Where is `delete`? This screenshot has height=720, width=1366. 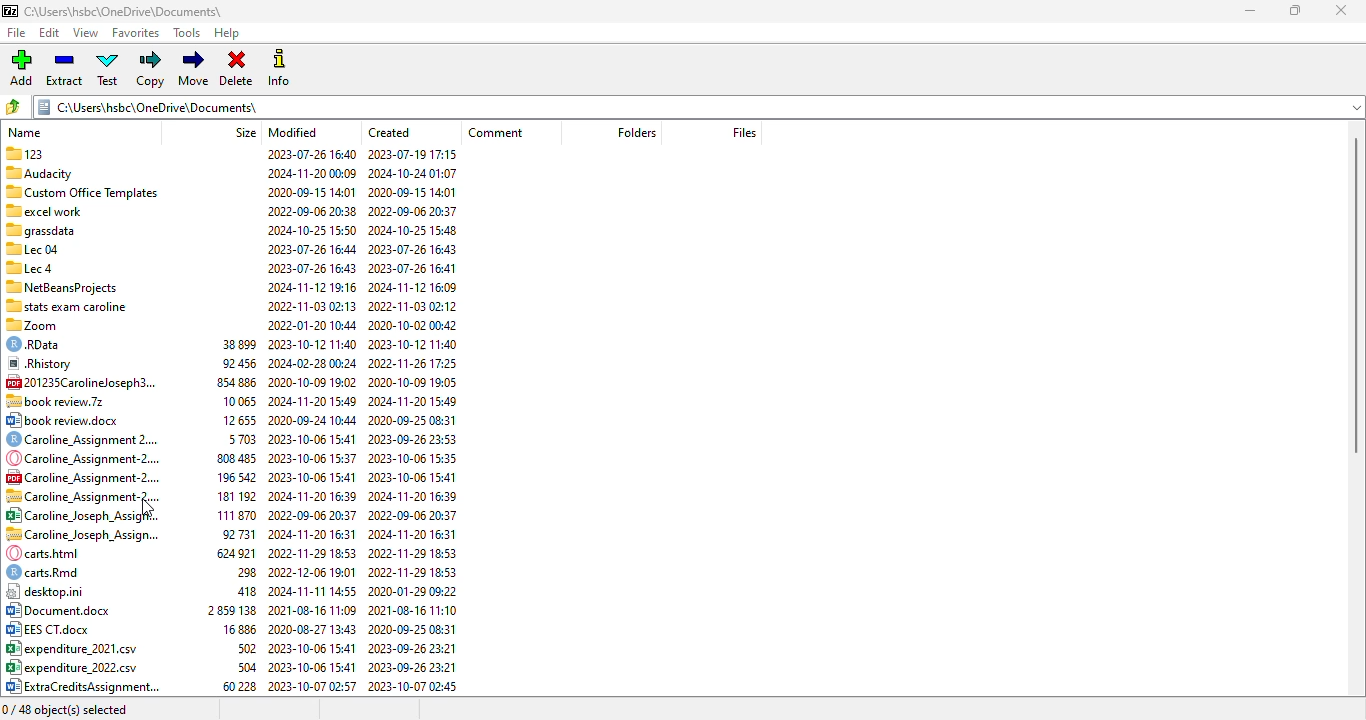
delete is located at coordinates (237, 68).